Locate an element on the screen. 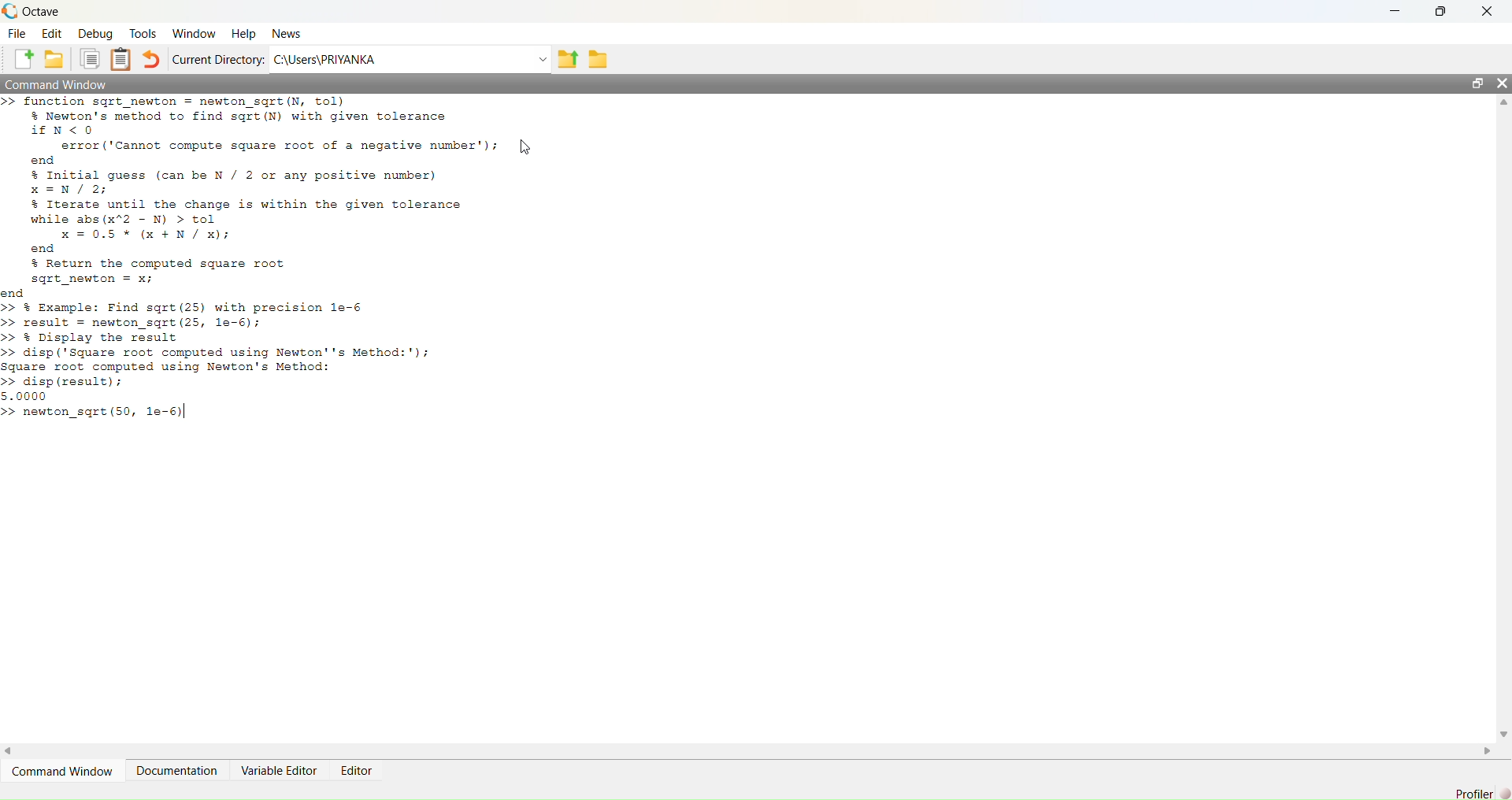 The image size is (1512, 800). >> function sqrt_newton = newton_sqrt(N, tol)
% Newton's method to find sqrt (N) with given tolerance
PEN<O
error ('Cannot compute square root of a negative number'); [uy
end
% Initial guess (can be N / 2 or any positive number)
x=N/2;
% Iterate until the change is within the given tolerance
while abs (x2 - N) > tol
x =0.5% (x +N/ x);
end
% Return the computed square root
sqrt_newton = x;
end
>> % Example: Find sqrt (25) with precision le-6
>> result = newton_sqrt (25, le-6);
>> % Display the result
>> disp ('Square root computed using Newton''s Method:');
Square root computed using Newton's Method:
>> disp (result);
5.0000
>> newton_sqrt (50, le-6)| is located at coordinates (279, 266).